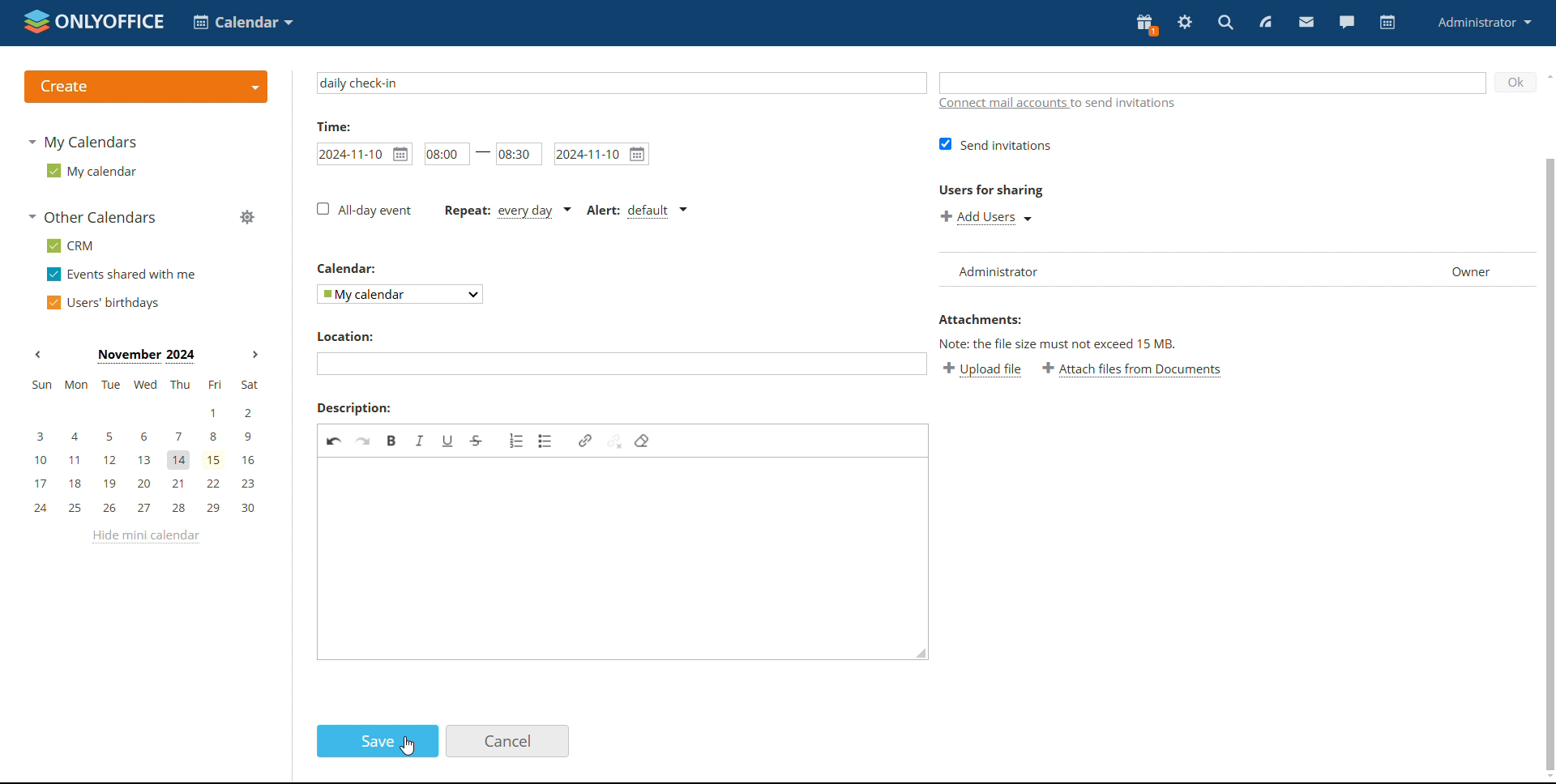 The height and width of the screenshot is (784, 1556). Describe the element at coordinates (923, 654) in the screenshot. I see `resize box` at that location.